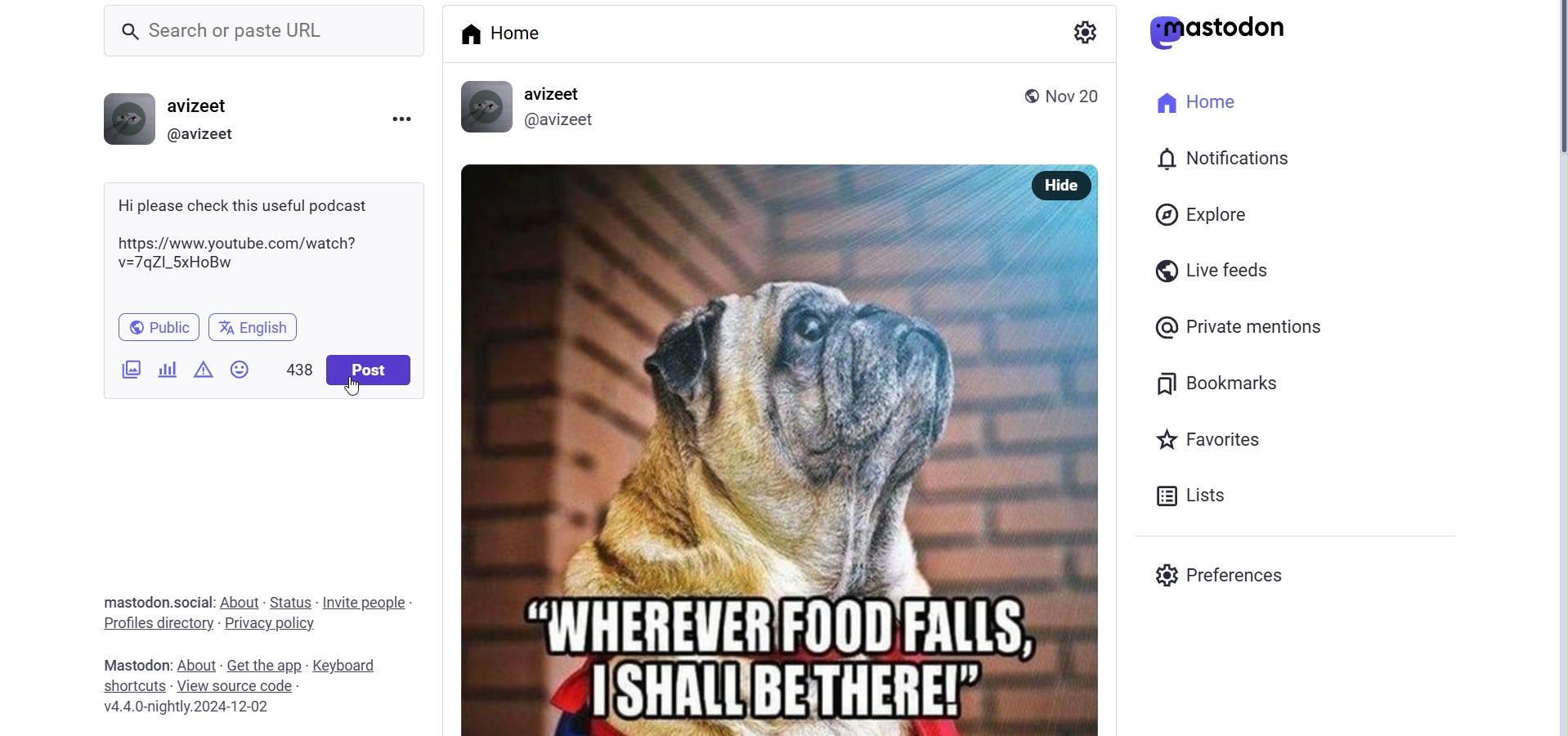  I want to click on explore, so click(1203, 214).